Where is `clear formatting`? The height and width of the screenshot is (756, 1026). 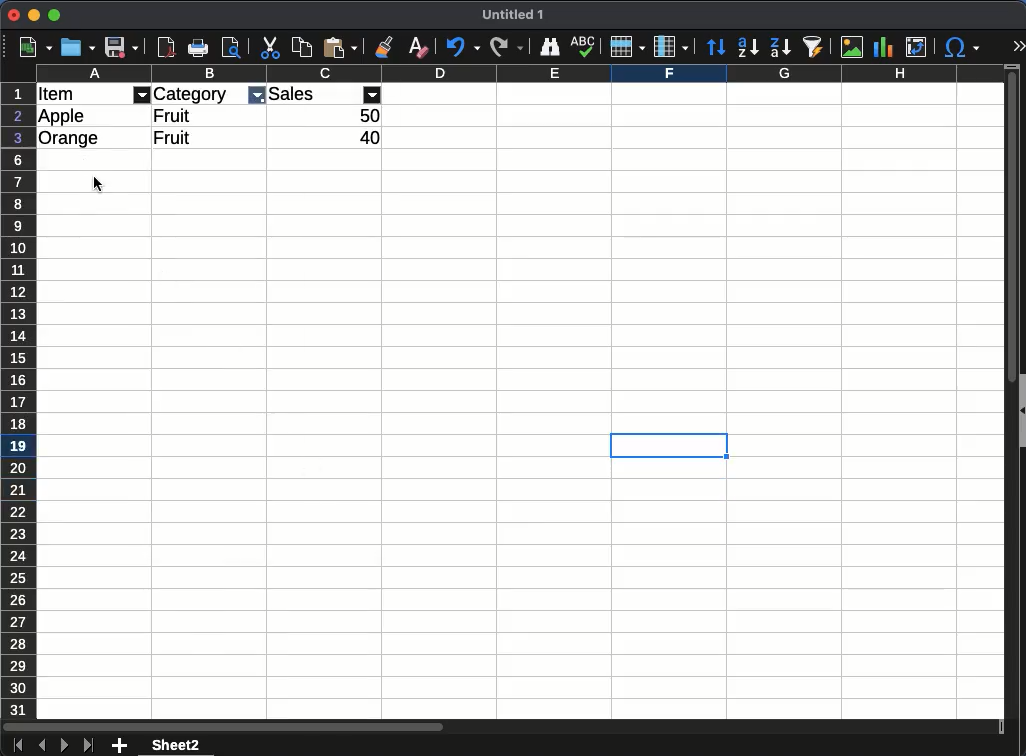 clear formatting is located at coordinates (415, 47).